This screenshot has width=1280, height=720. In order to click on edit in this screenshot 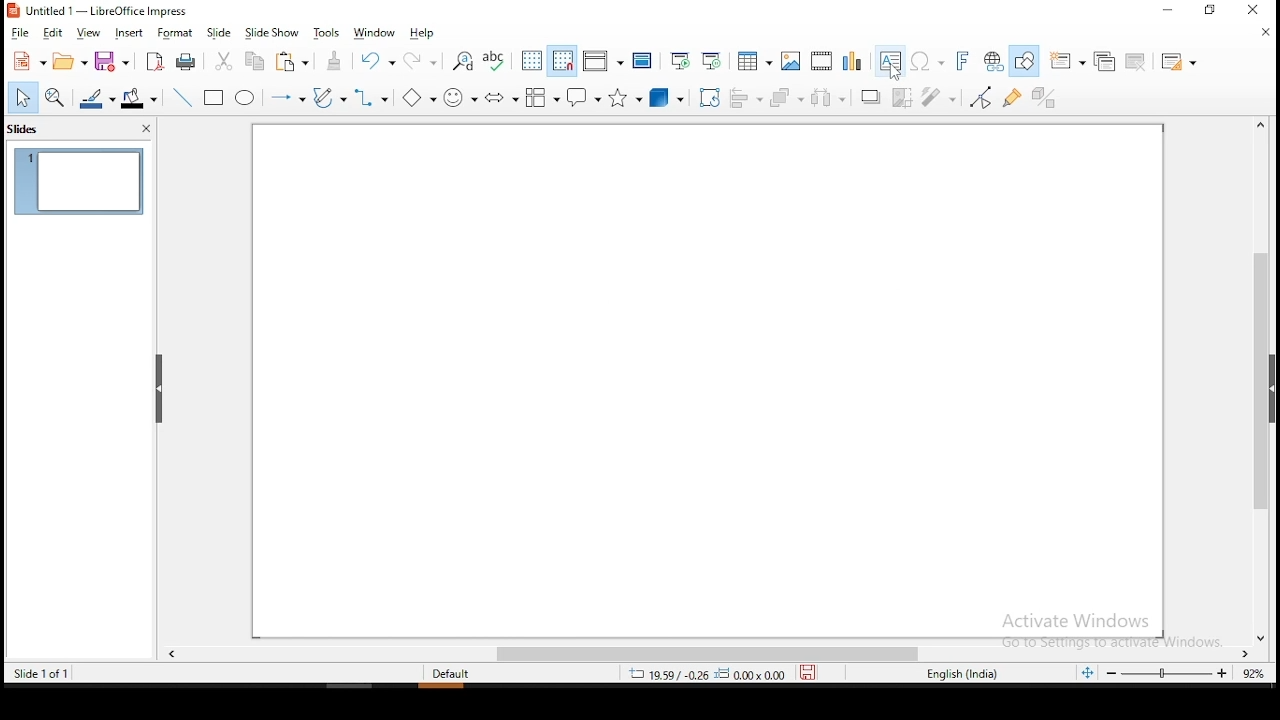, I will do `click(56, 33)`.